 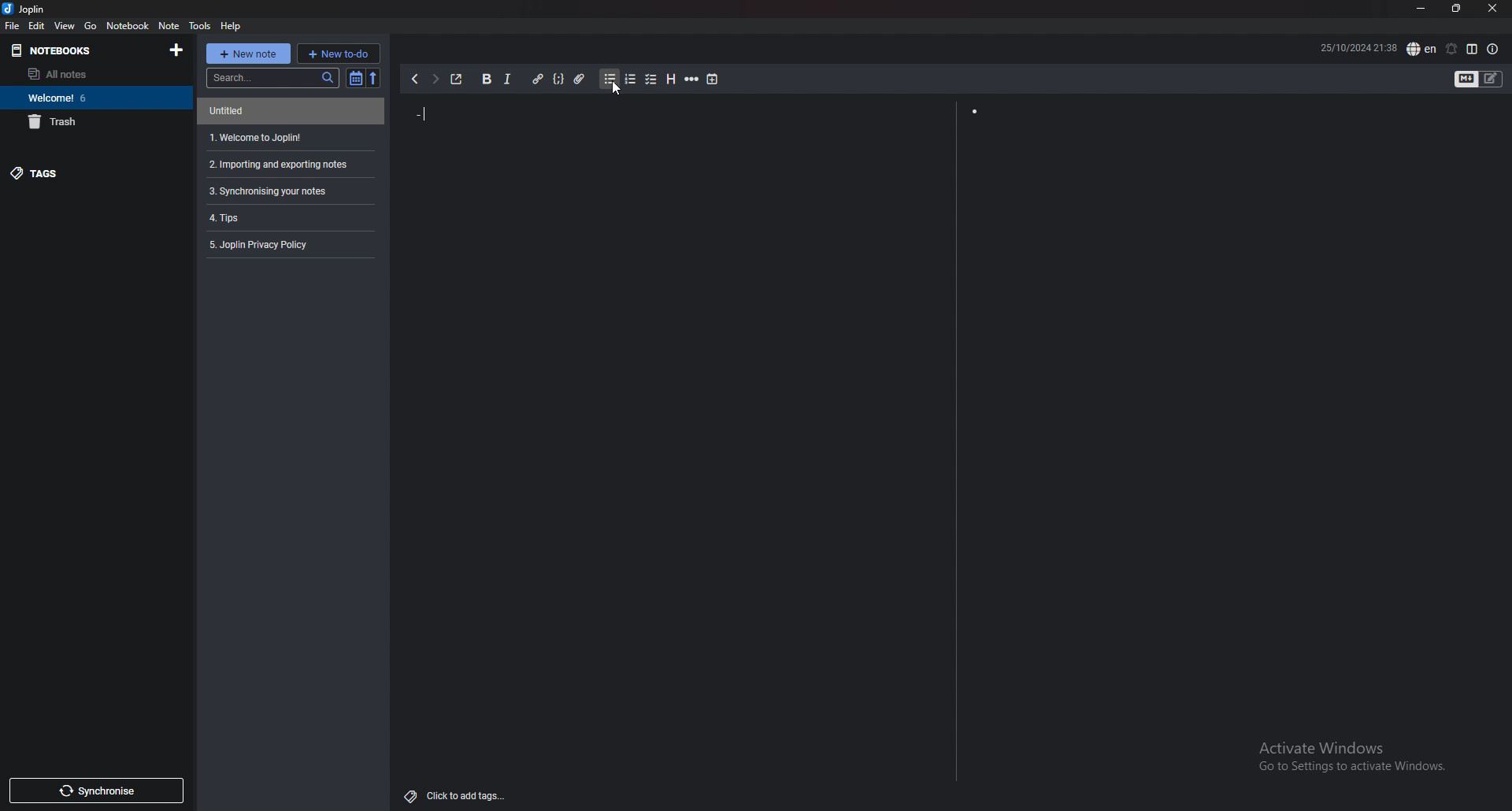 I want to click on Edit, so click(x=38, y=24).